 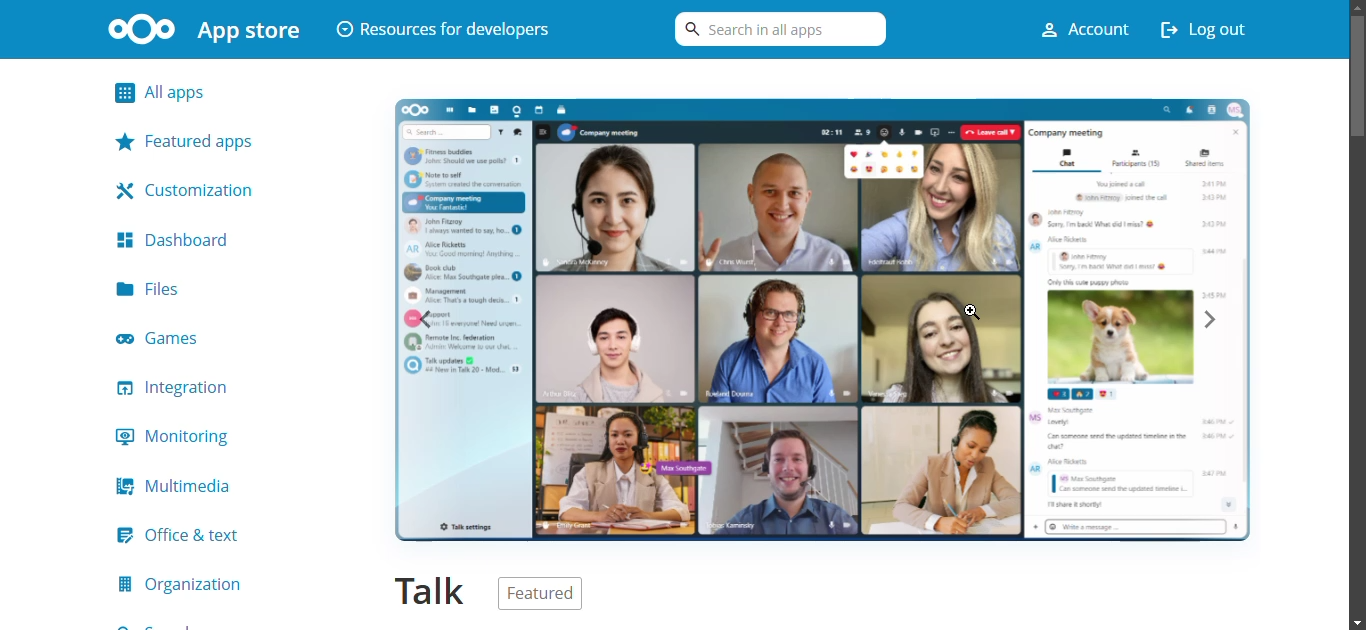 I want to click on app interface, so click(x=822, y=320).